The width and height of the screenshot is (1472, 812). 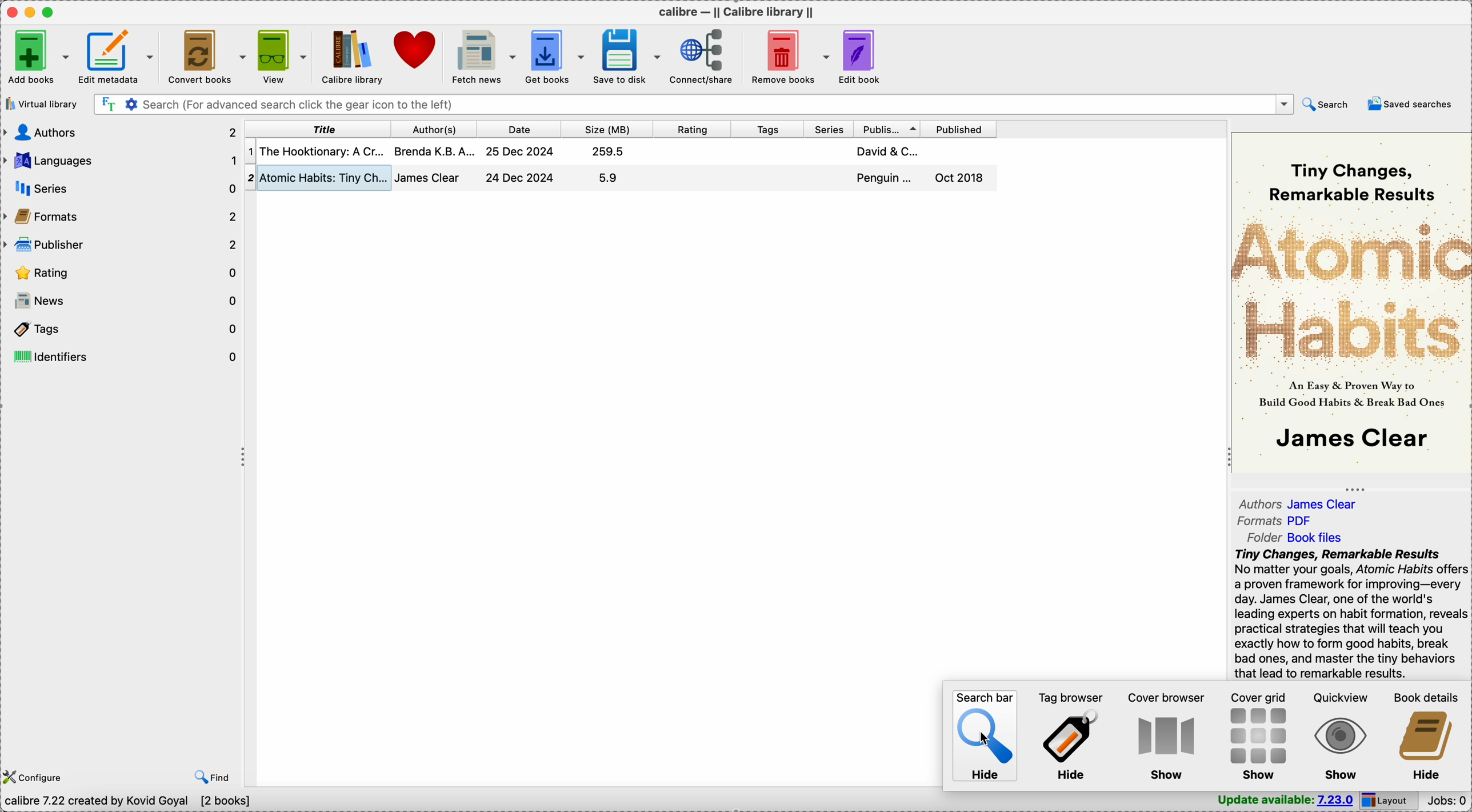 What do you see at coordinates (119, 55) in the screenshot?
I see `edit metadata` at bounding box center [119, 55].